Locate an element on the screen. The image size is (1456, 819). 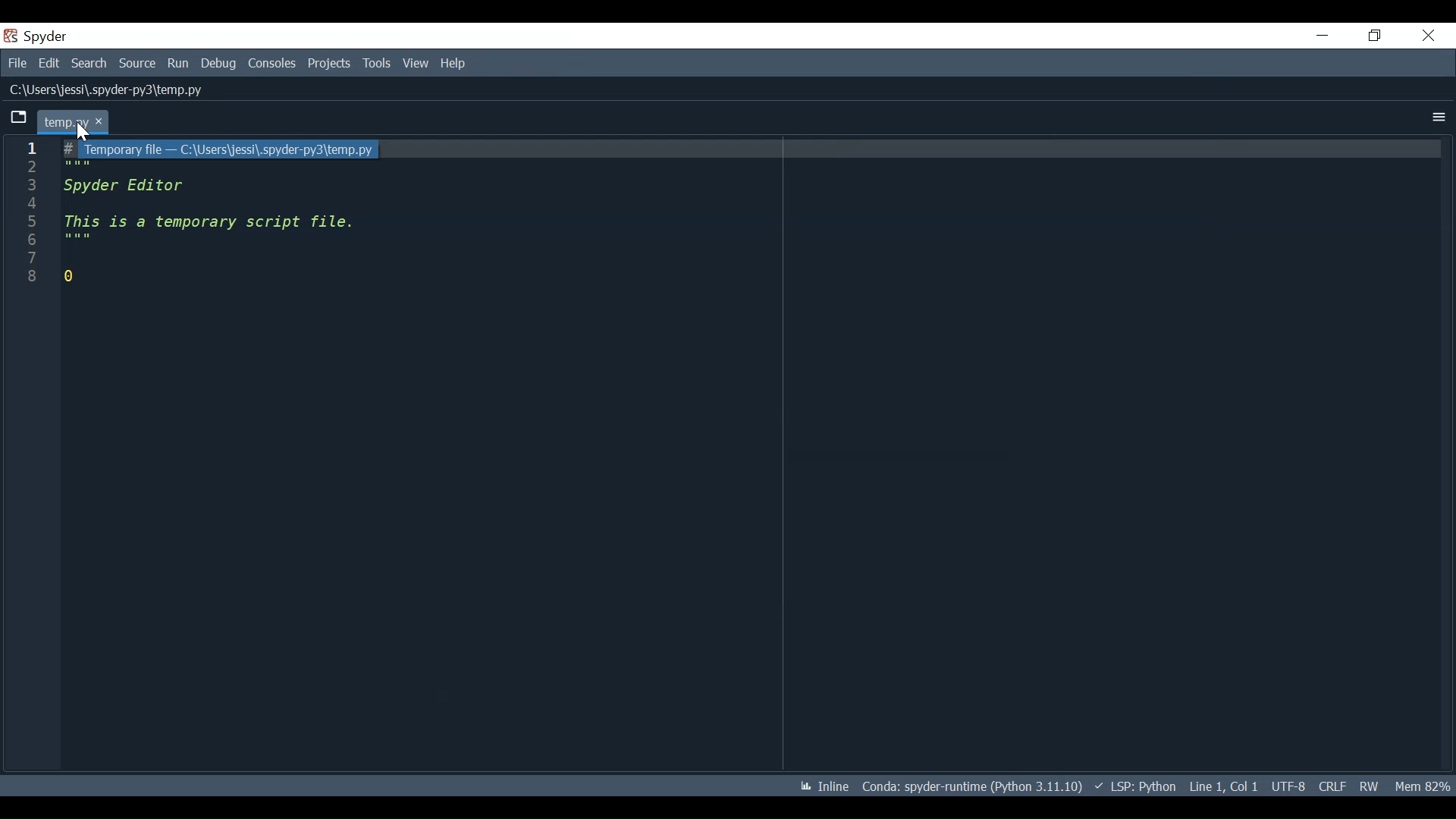
Mem 82% is located at coordinates (1422, 783).